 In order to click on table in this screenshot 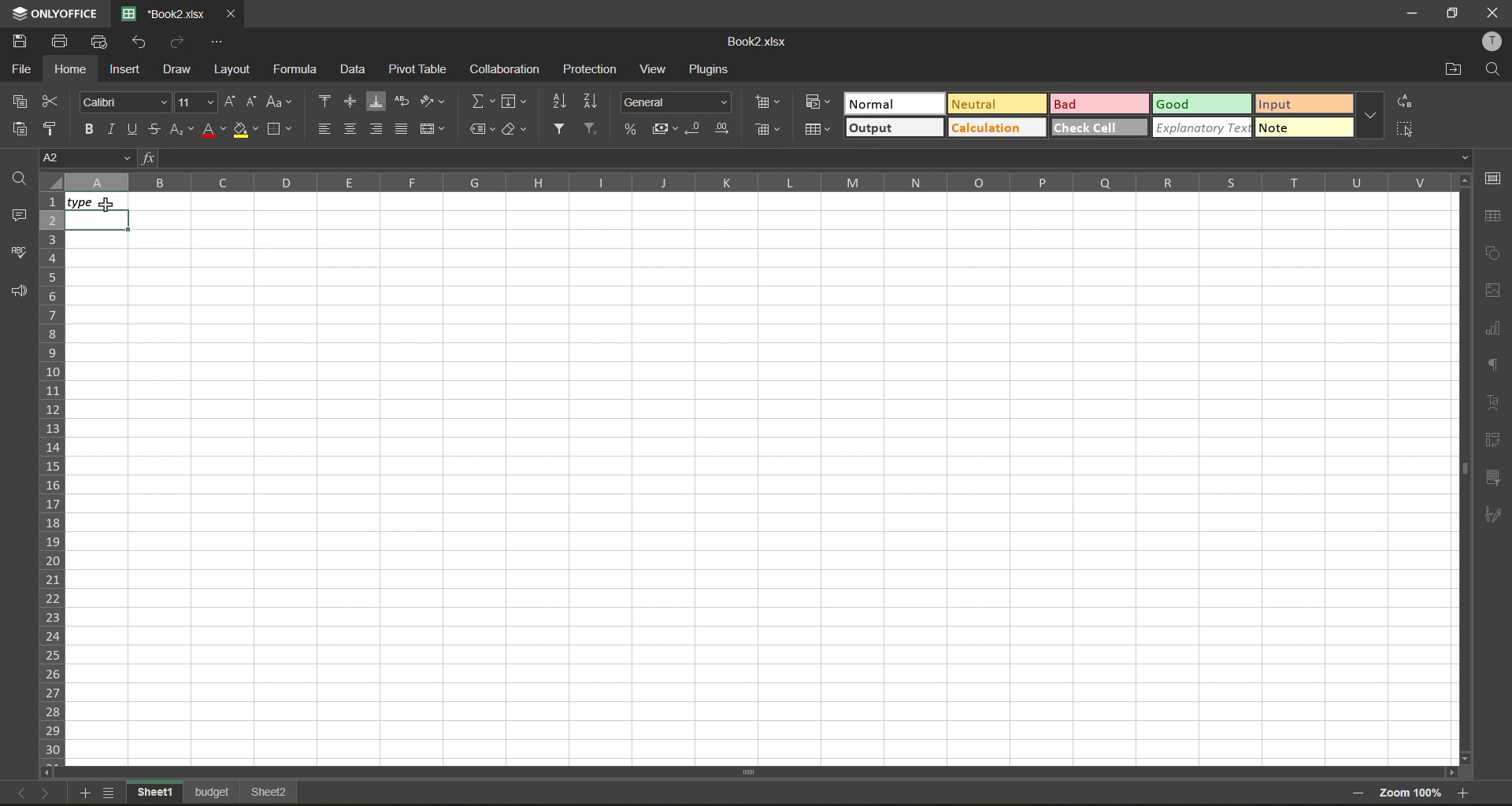, I will do `click(1493, 216)`.